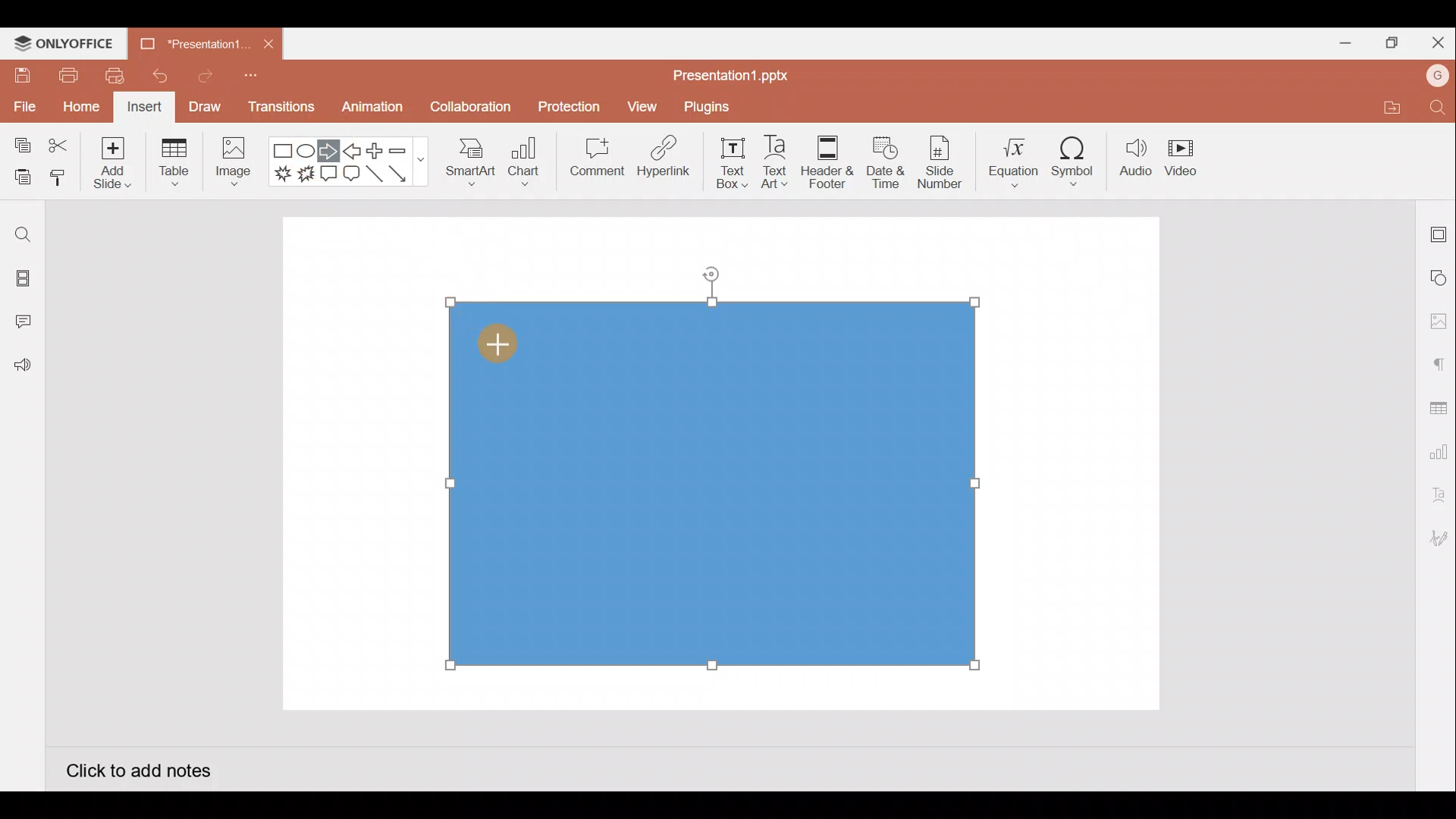 This screenshot has width=1456, height=819. What do you see at coordinates (59, 146) in the screenshot?
I see `Cut` at bounding box center [59, 146].